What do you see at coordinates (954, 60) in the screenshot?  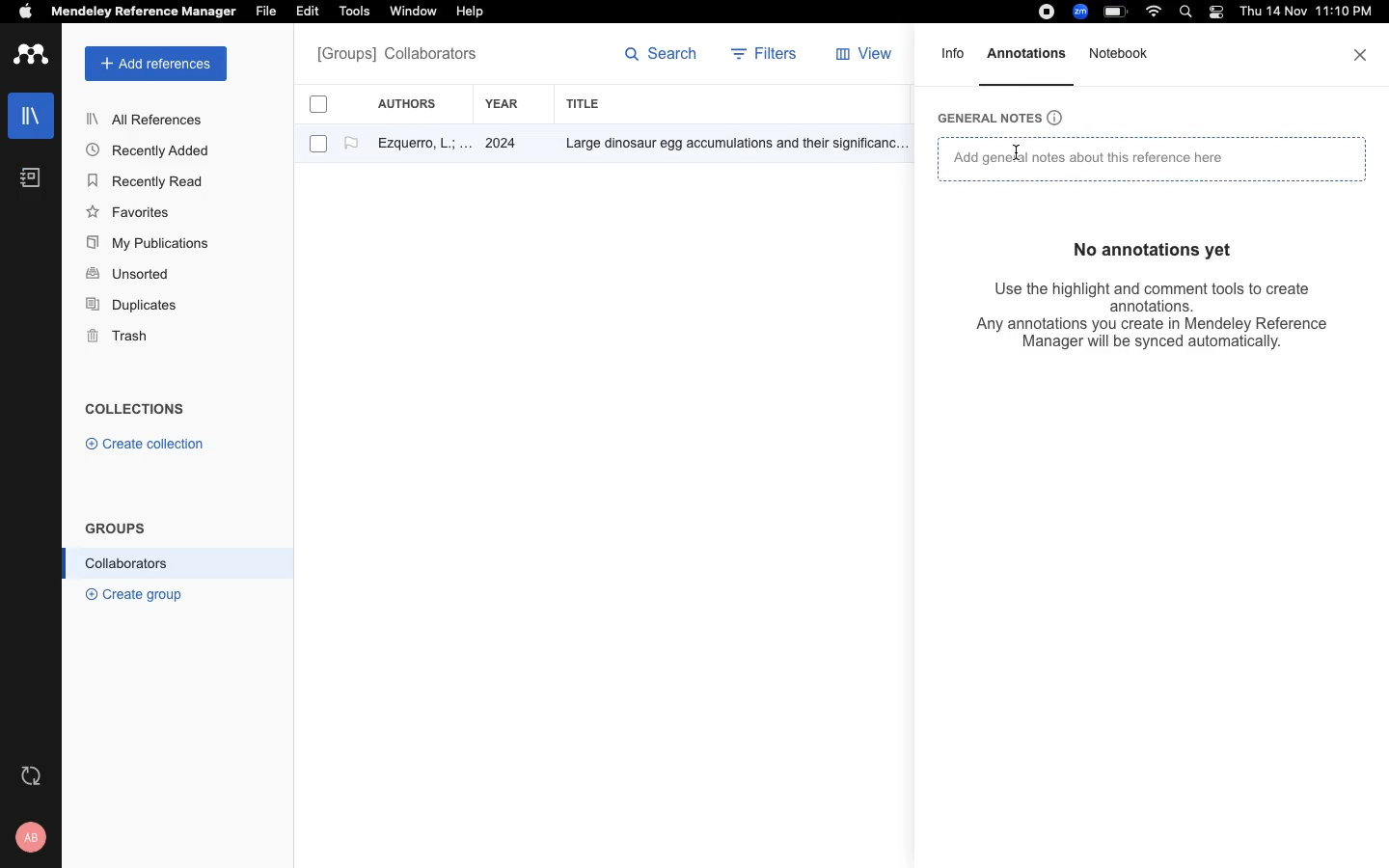 I see `info` at bounding box center [954, 60].